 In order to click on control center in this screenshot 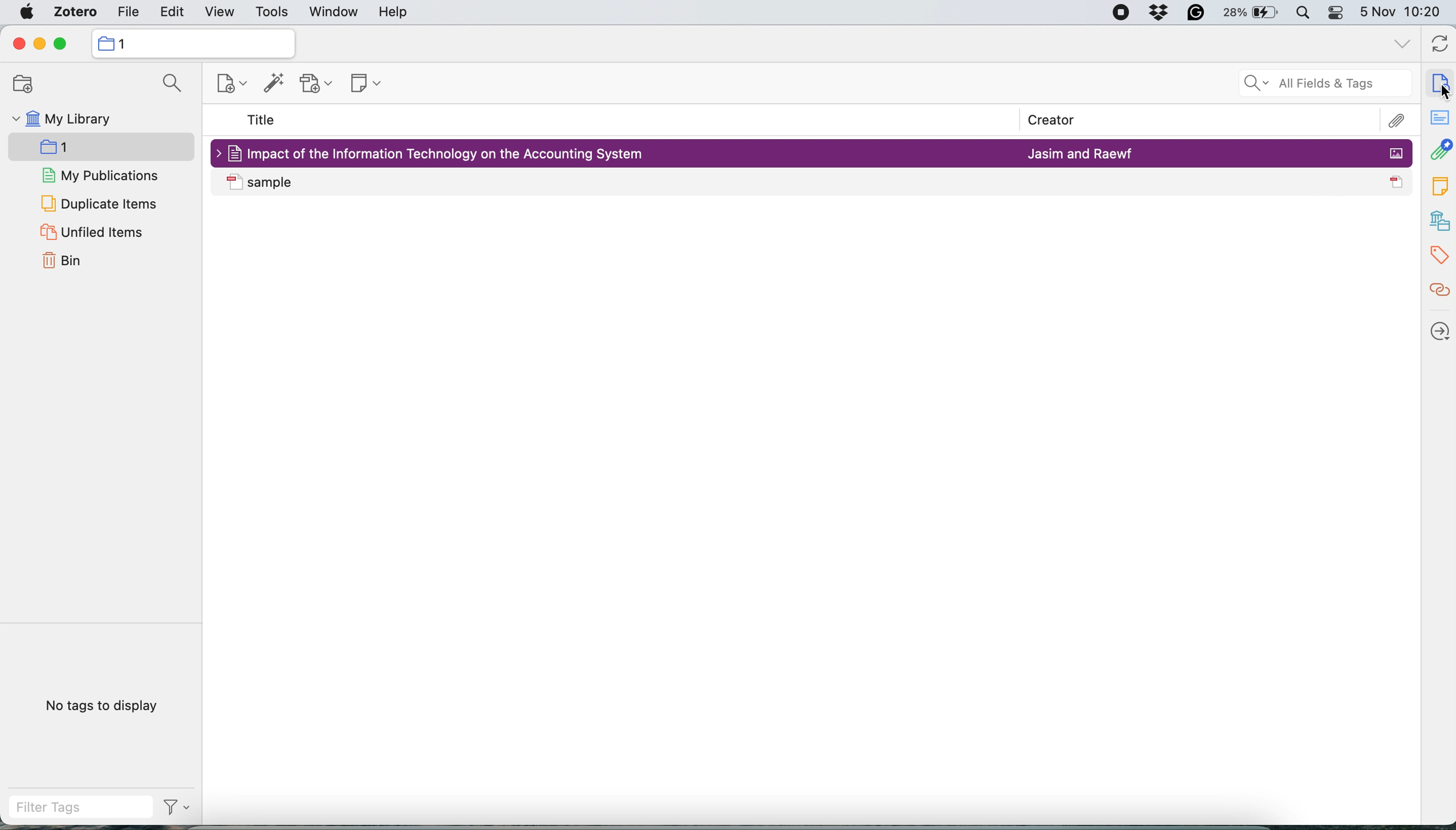, I will do `click(1338, 14)`.